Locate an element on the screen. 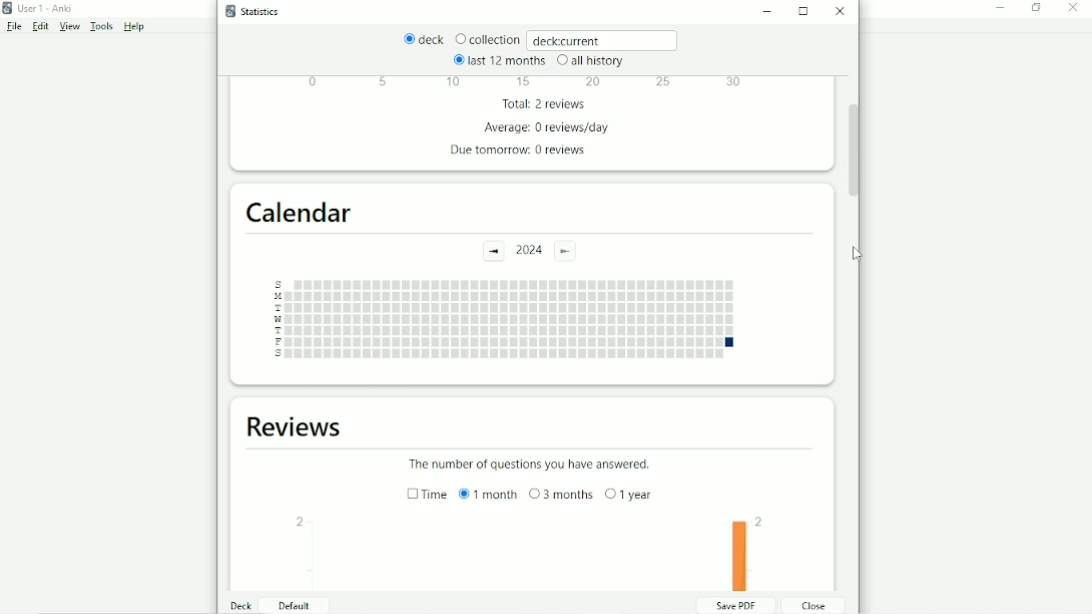 This screenshot has height=614, width=1092. Statistics is located at coordinates (257, 11).